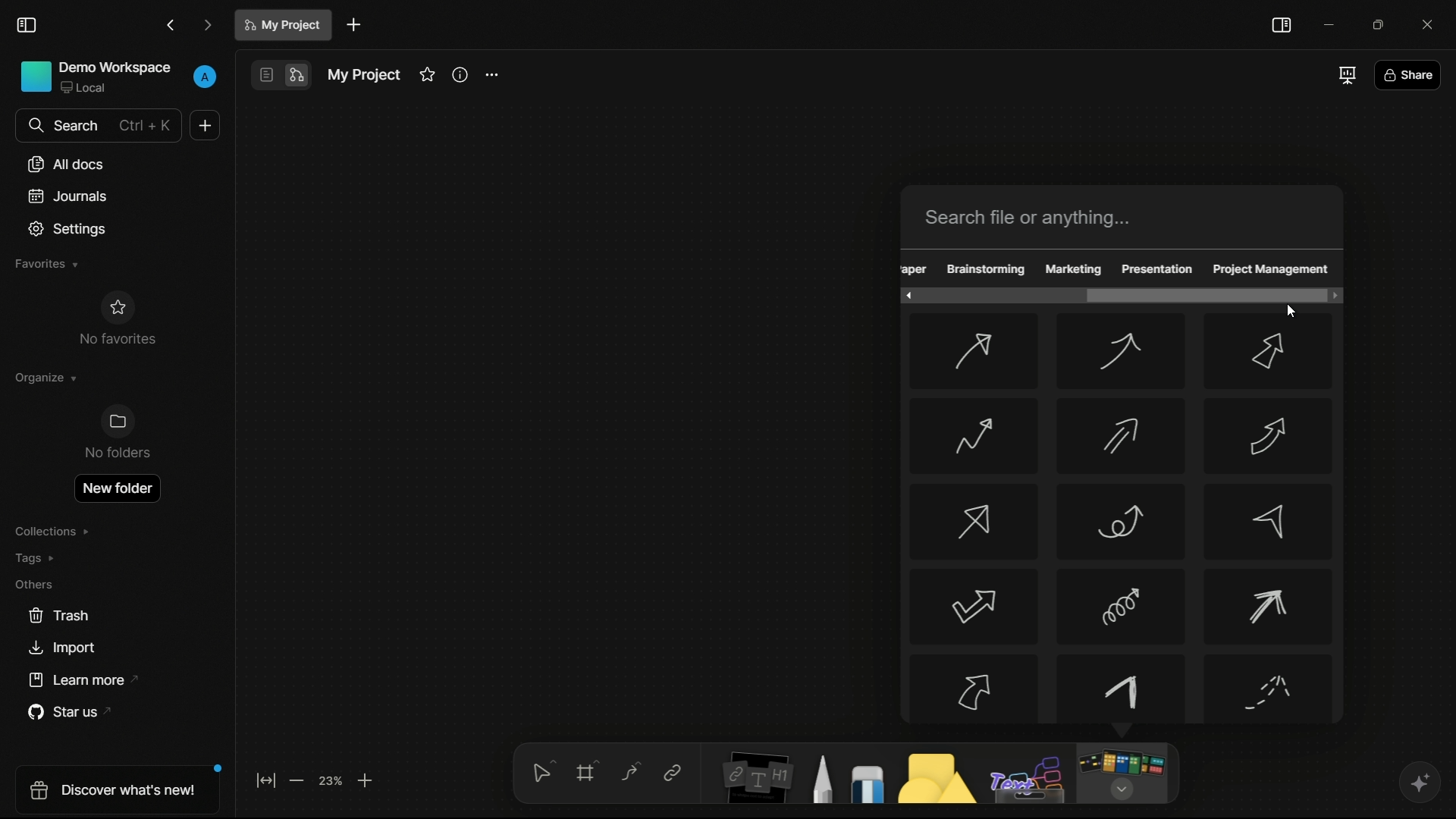 The height and width of the screenshot is (819, 1456). Describe the element at coordinates (33, 584) in the screenshot. I see `others` at that location.